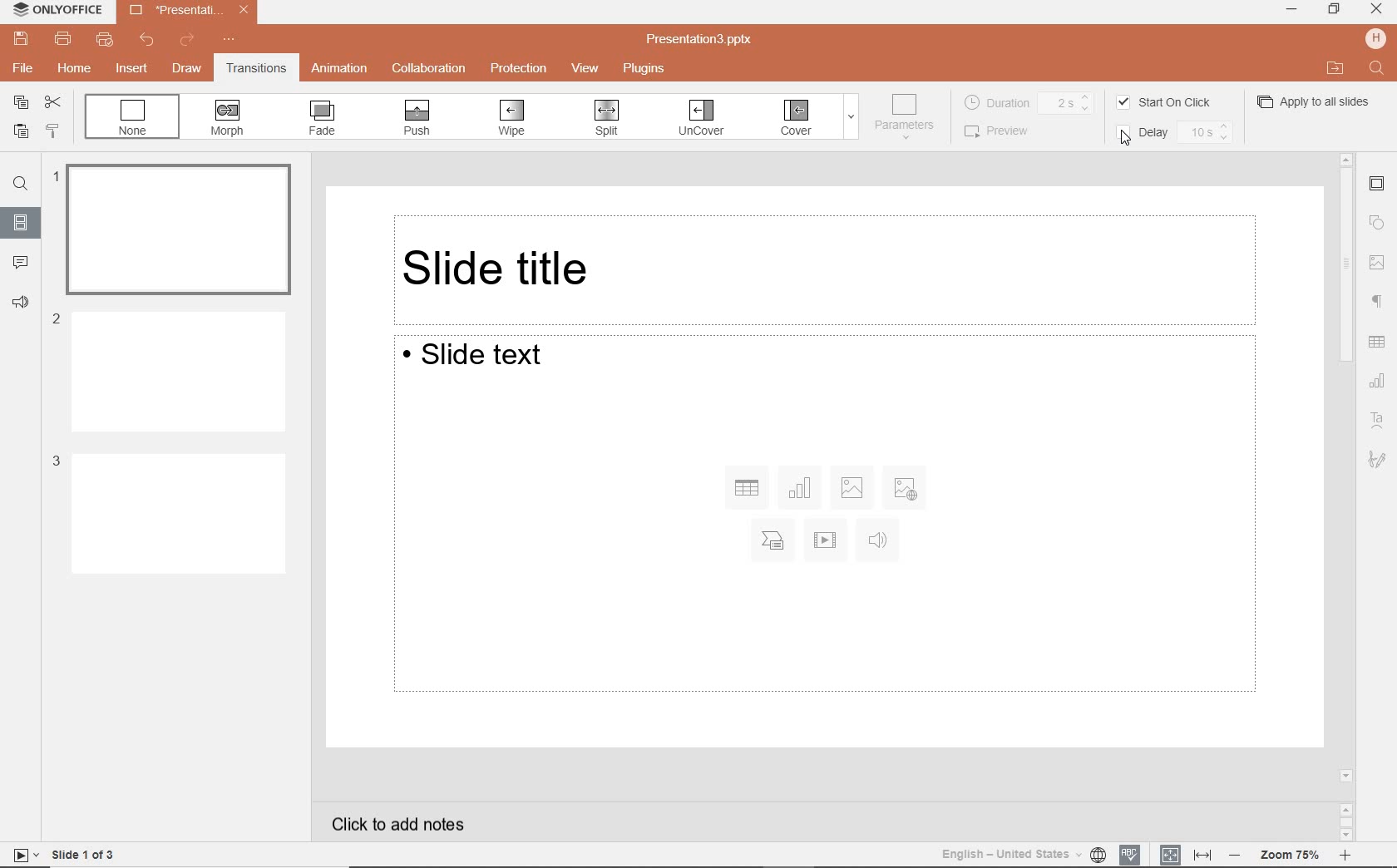 This screenshot has height=868, width=1397. What do you see at coordinates (151, 41) in the screenshot?
I see `undo` at bounding box center [151, 41].